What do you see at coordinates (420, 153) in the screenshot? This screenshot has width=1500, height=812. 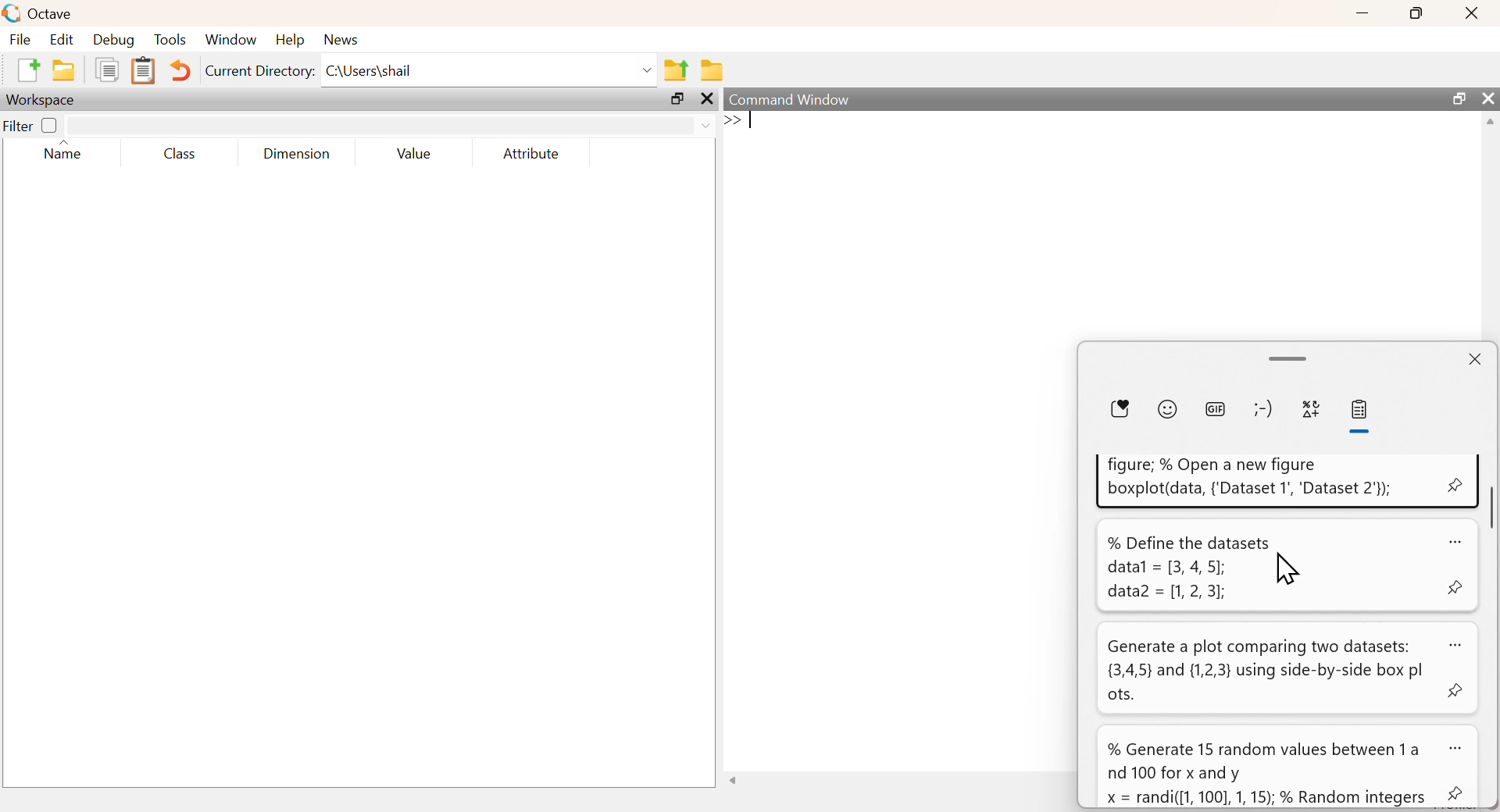 I see `Value` at bounding box center [420, 153].